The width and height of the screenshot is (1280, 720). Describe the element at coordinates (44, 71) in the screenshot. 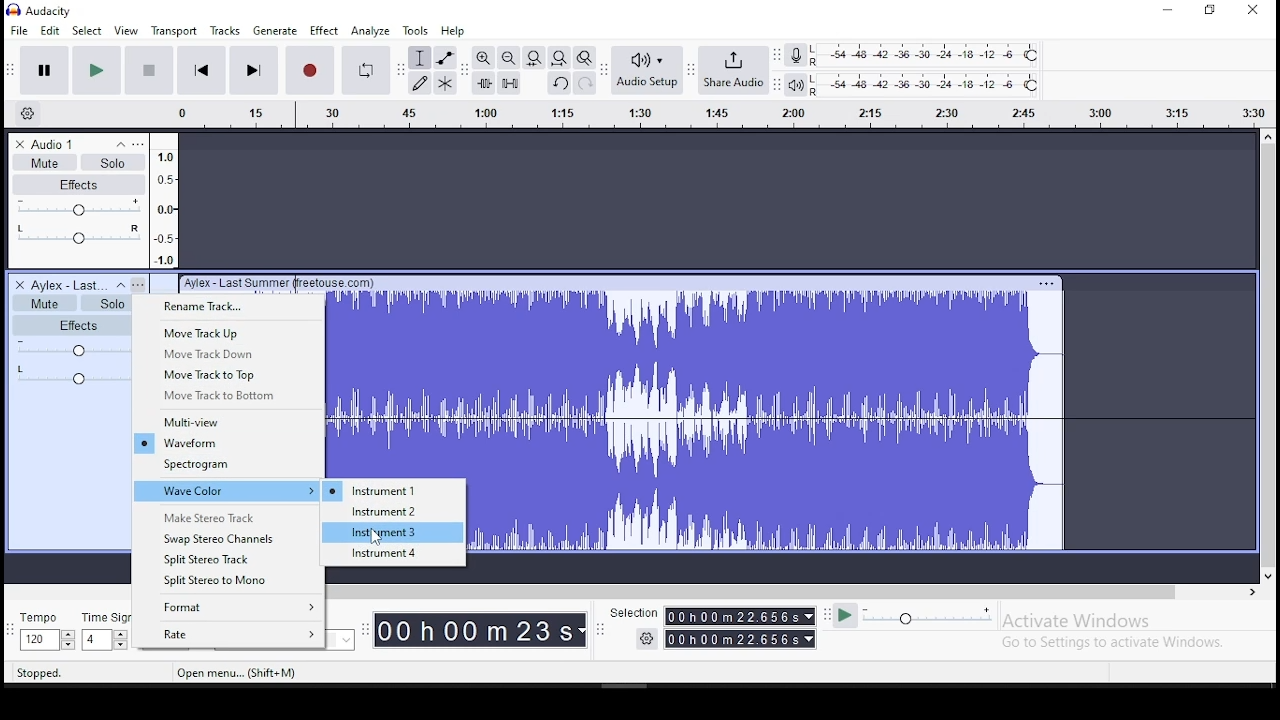

I see `pause` at that location.